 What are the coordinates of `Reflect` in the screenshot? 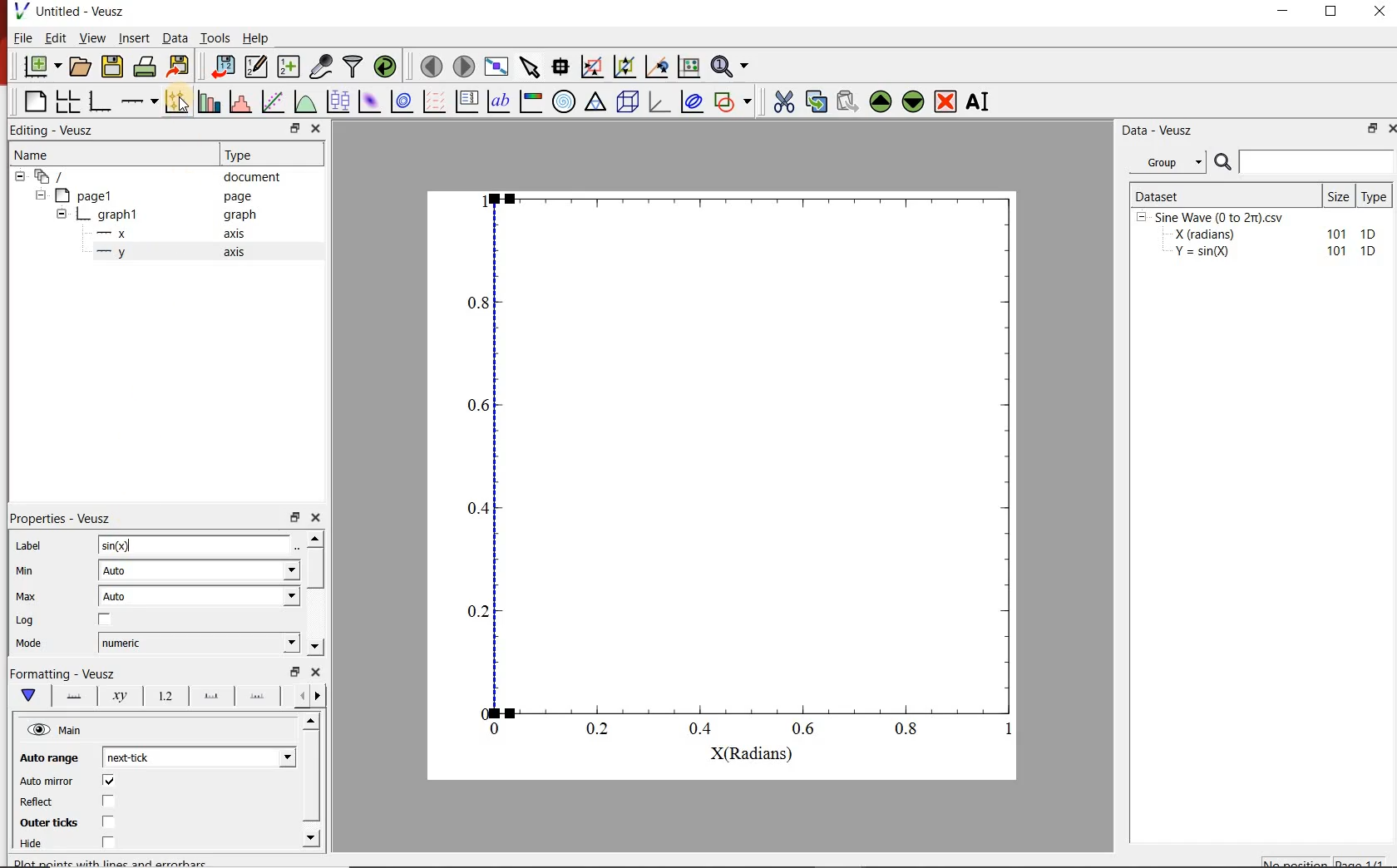 It's located at (38, 802).